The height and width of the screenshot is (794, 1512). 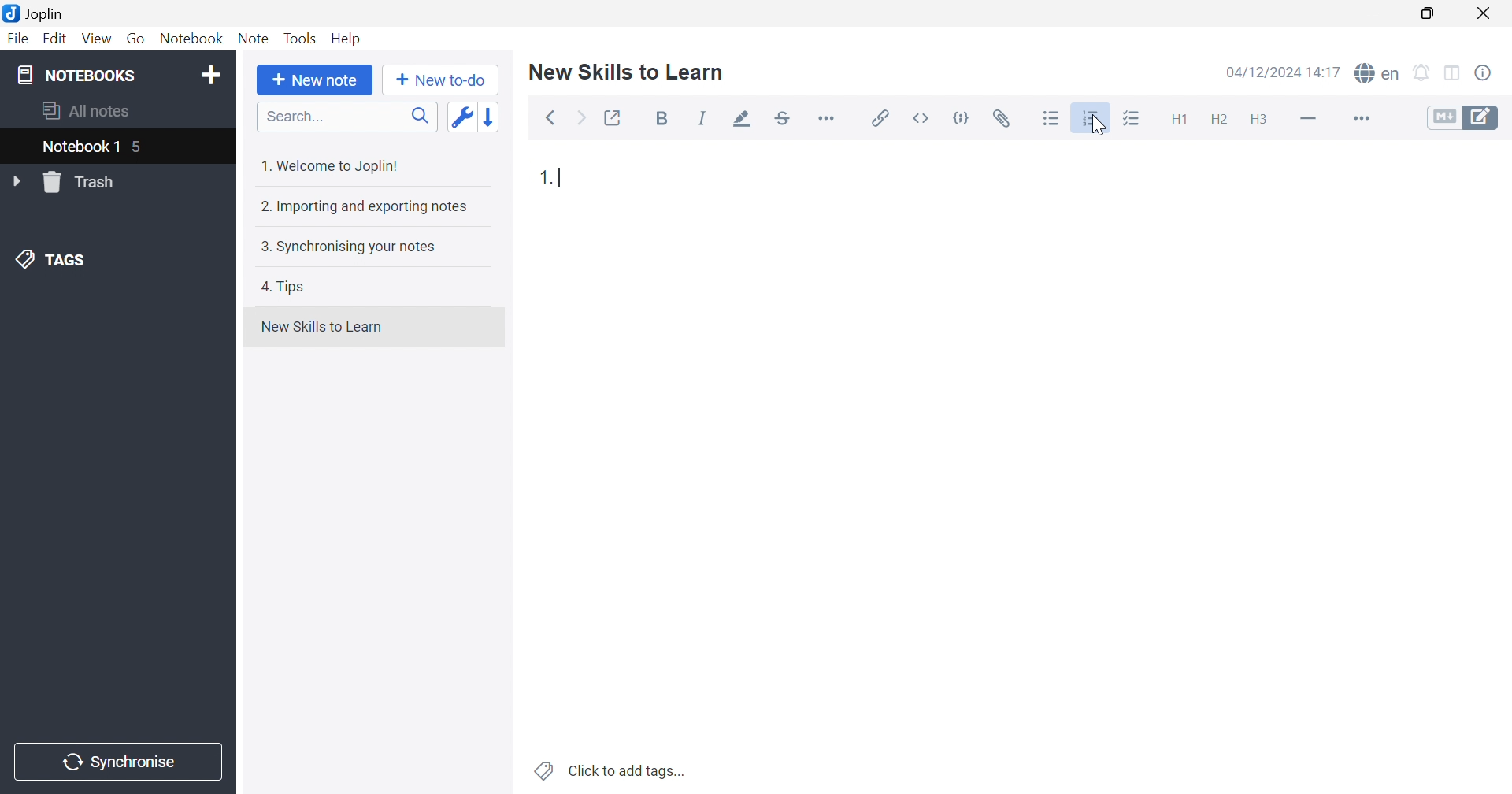 I want to click on Help, so click(x=347, y=39).